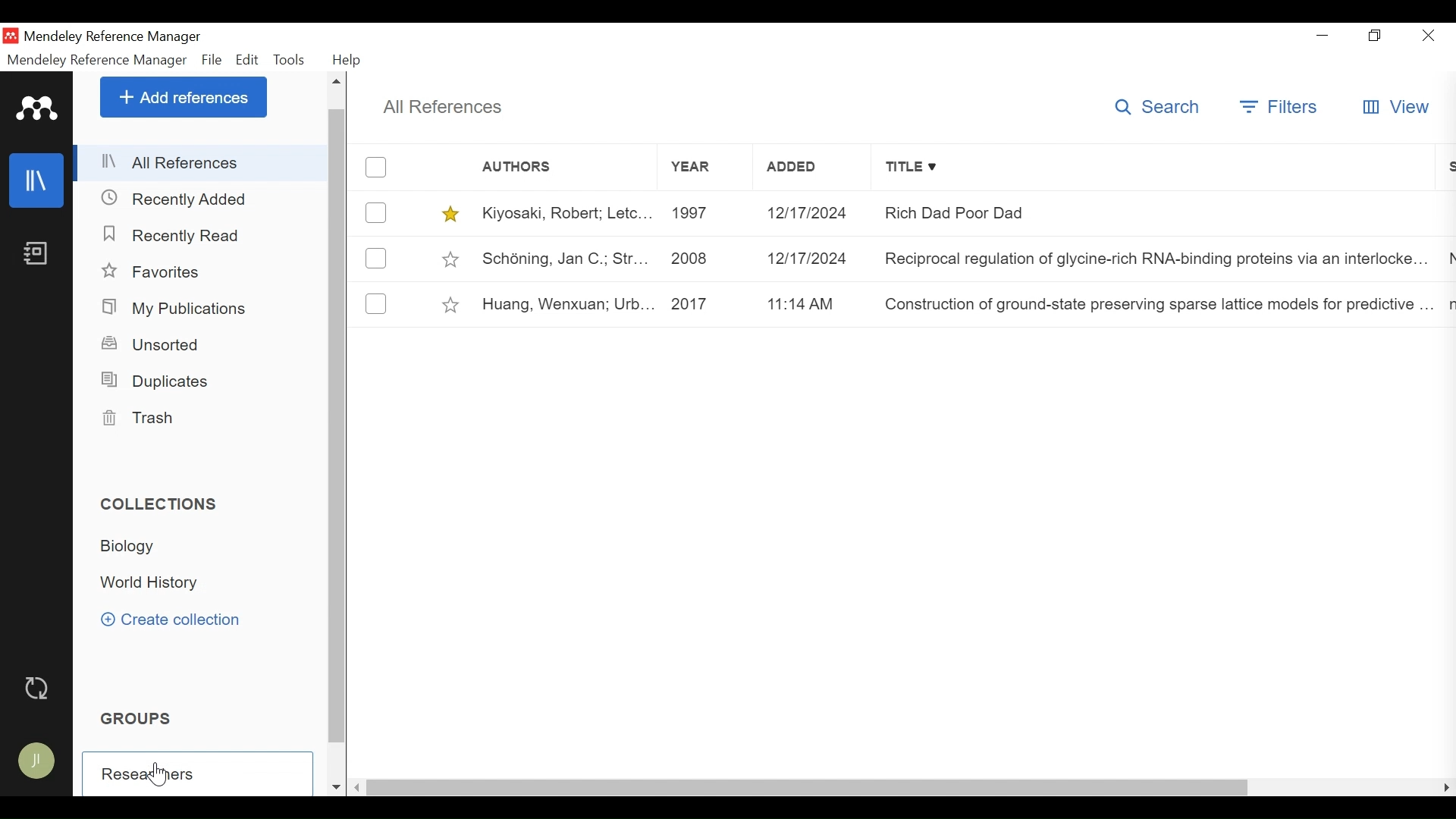  What do you see at coordinates (1157, 303) in the screenshot?
I see `Construction of ground-state preserving sparse lattice models for predictive..` at bounding box center [1157, 303].